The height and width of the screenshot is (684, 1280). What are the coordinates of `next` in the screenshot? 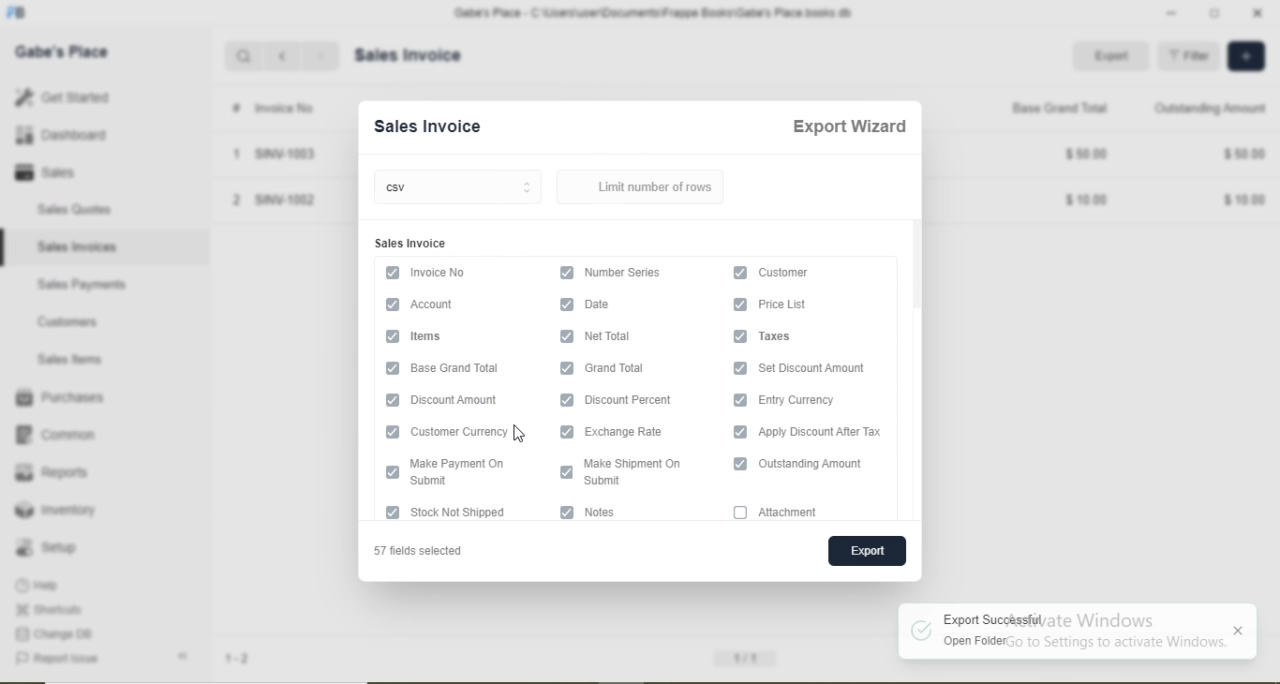 It's located at (320, 57).